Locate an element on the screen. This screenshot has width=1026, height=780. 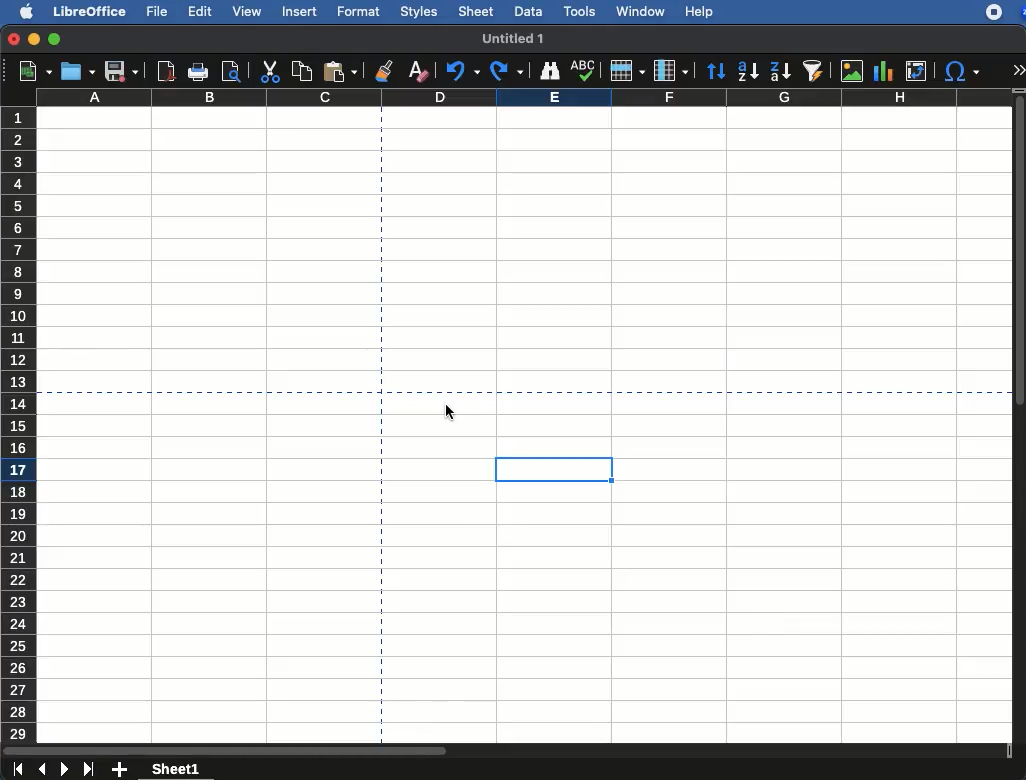
close is located at coordinates (13, 39).